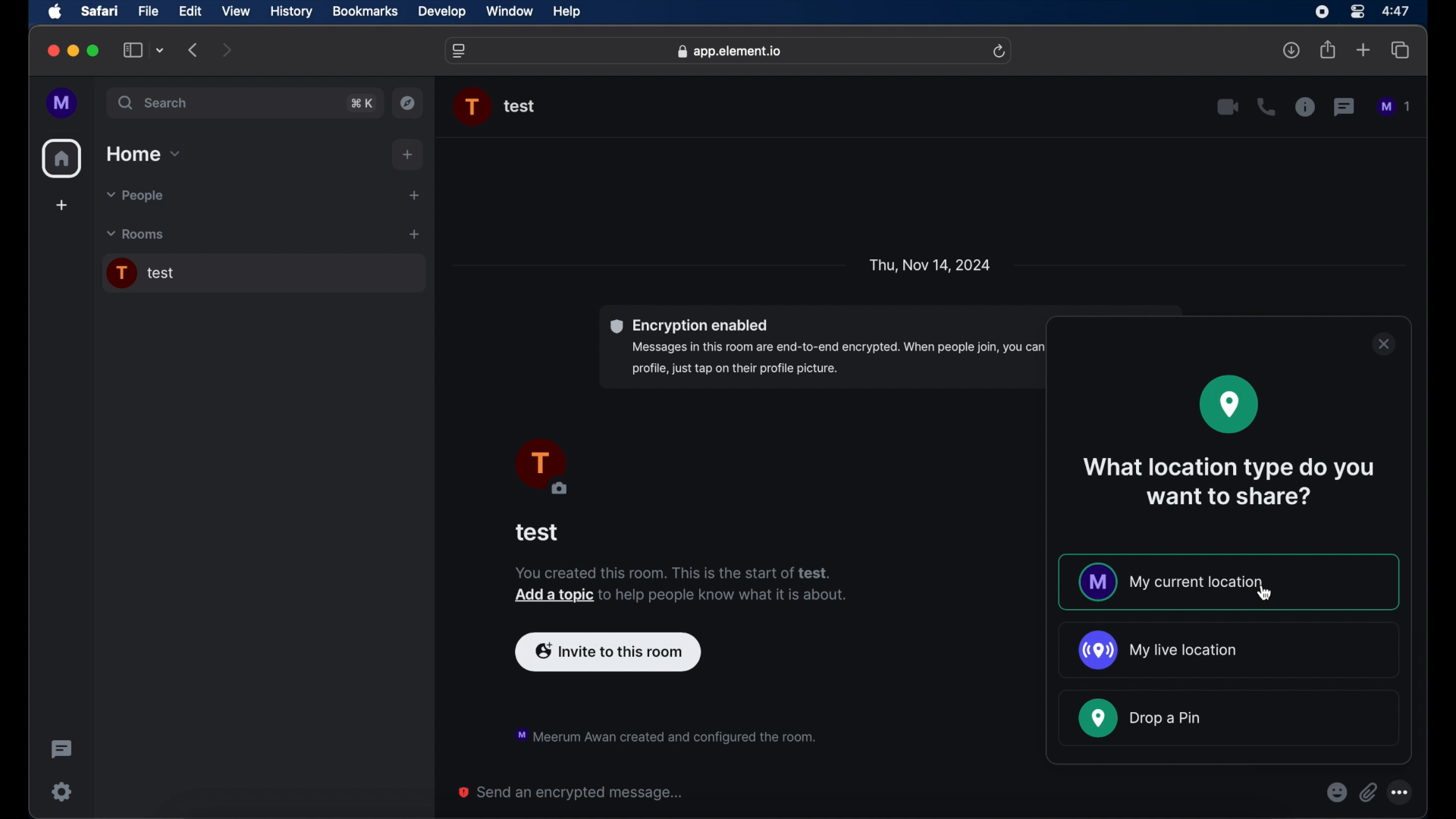  I want to click on chat name, so click(520, 107).